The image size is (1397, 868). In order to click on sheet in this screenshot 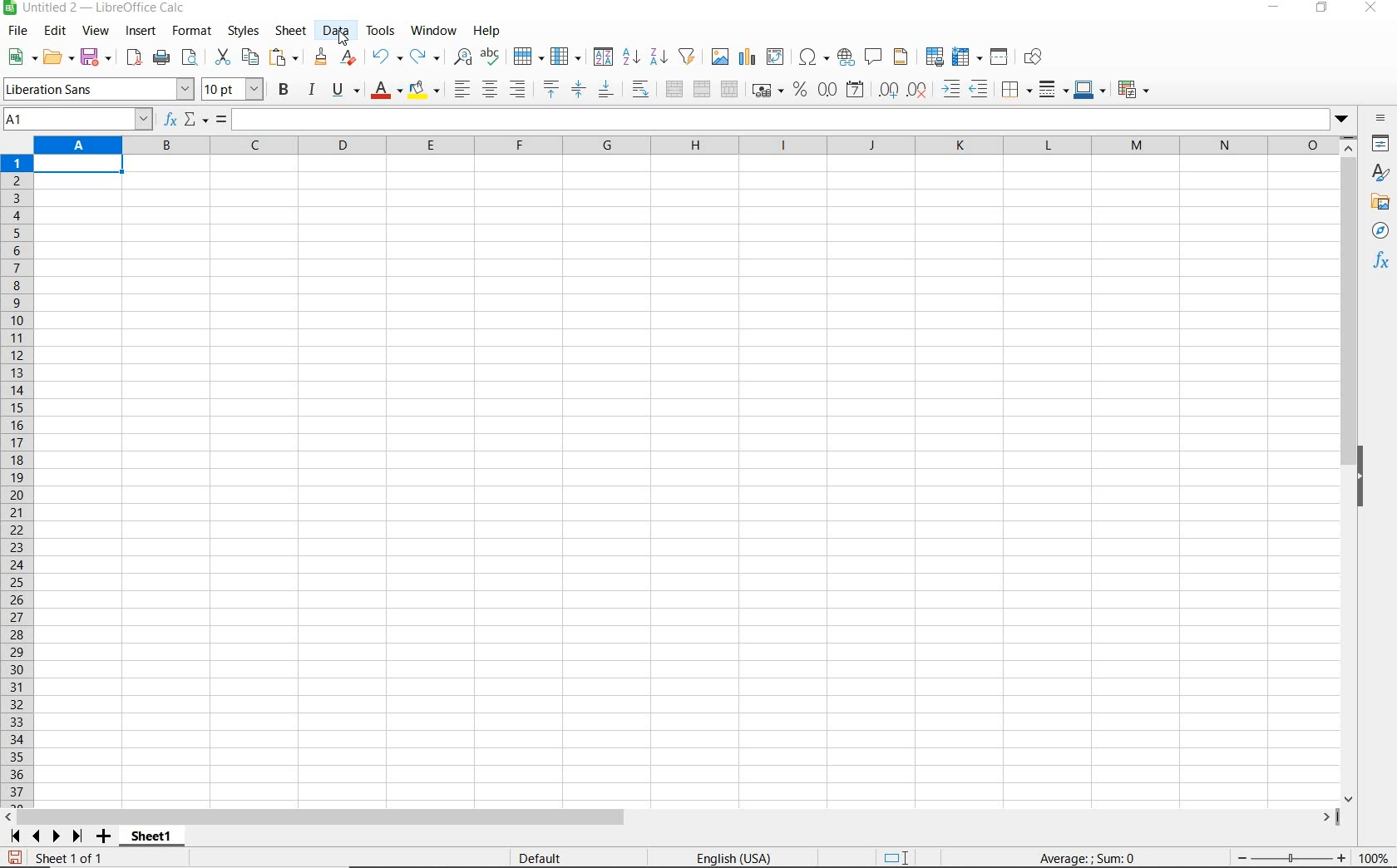, I will do `click(292, 32)`.